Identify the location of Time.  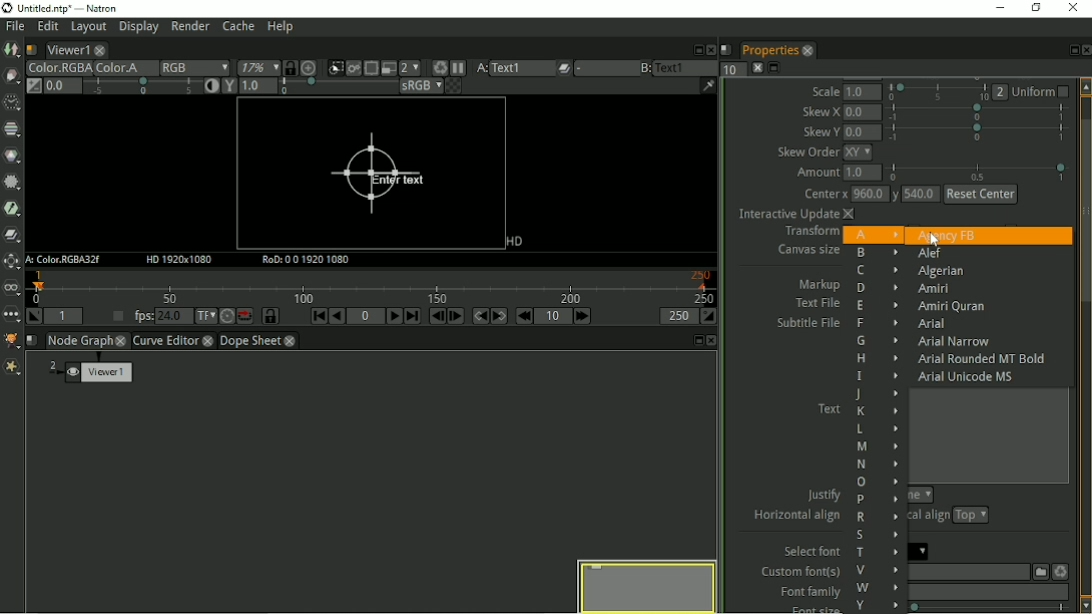
(11, 103).